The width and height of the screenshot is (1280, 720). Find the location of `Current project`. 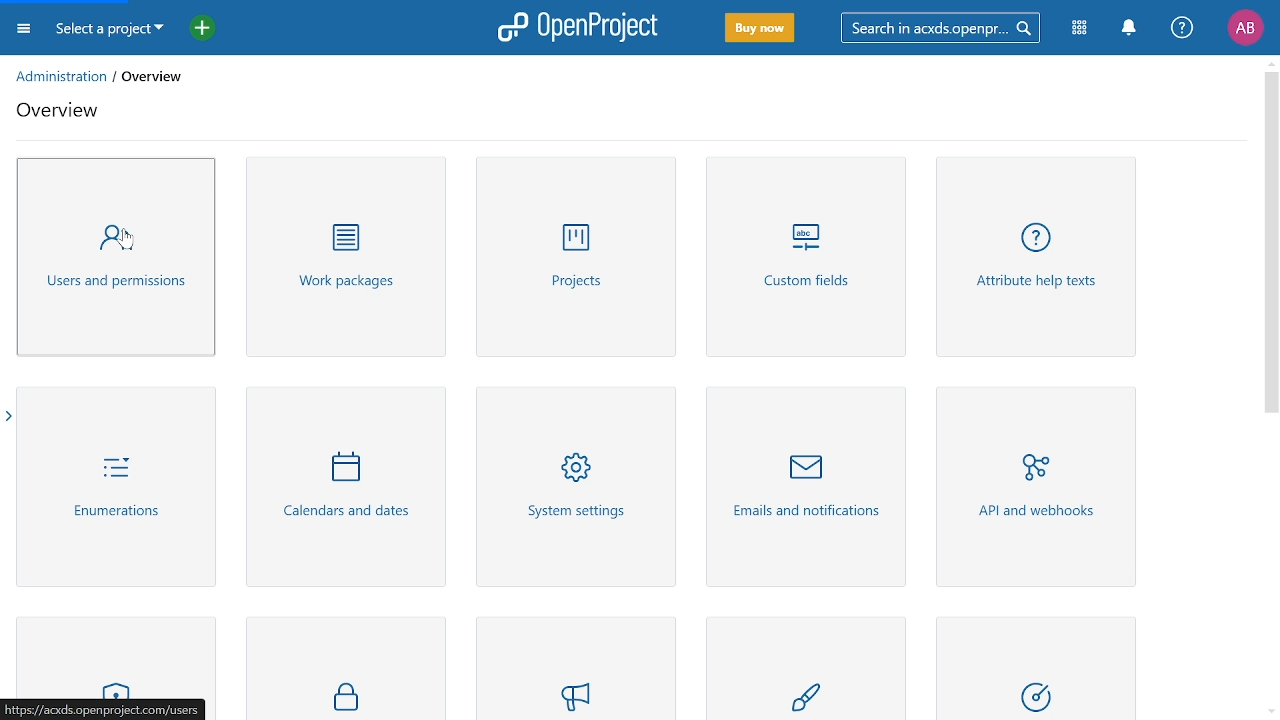

Current project is located at coordinates (109, 30).